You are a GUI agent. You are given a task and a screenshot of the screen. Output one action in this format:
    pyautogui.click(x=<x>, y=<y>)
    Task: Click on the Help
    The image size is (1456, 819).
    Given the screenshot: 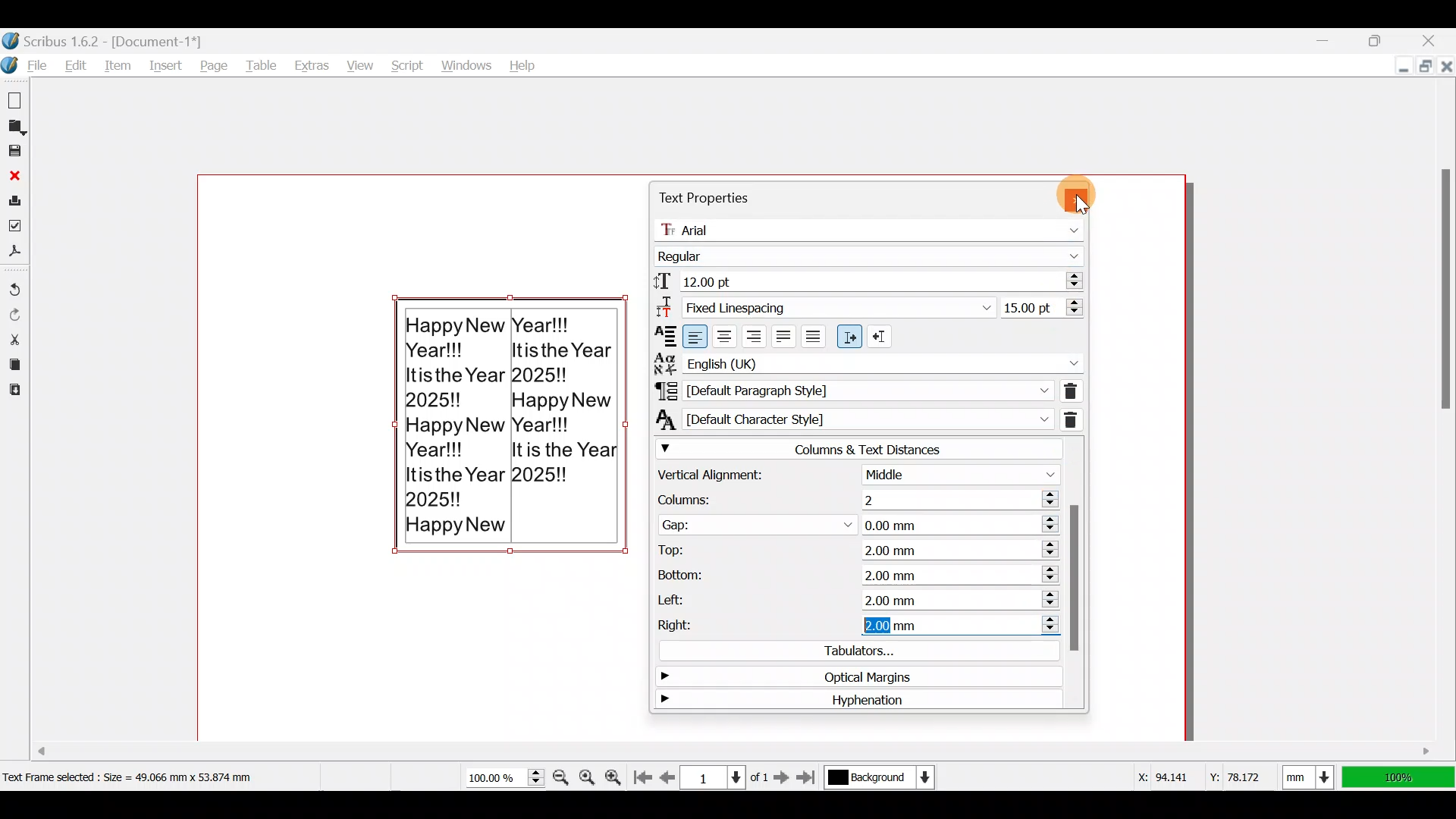 What is the action you would take?
    pyautogui.click(x=522, y=62)
    